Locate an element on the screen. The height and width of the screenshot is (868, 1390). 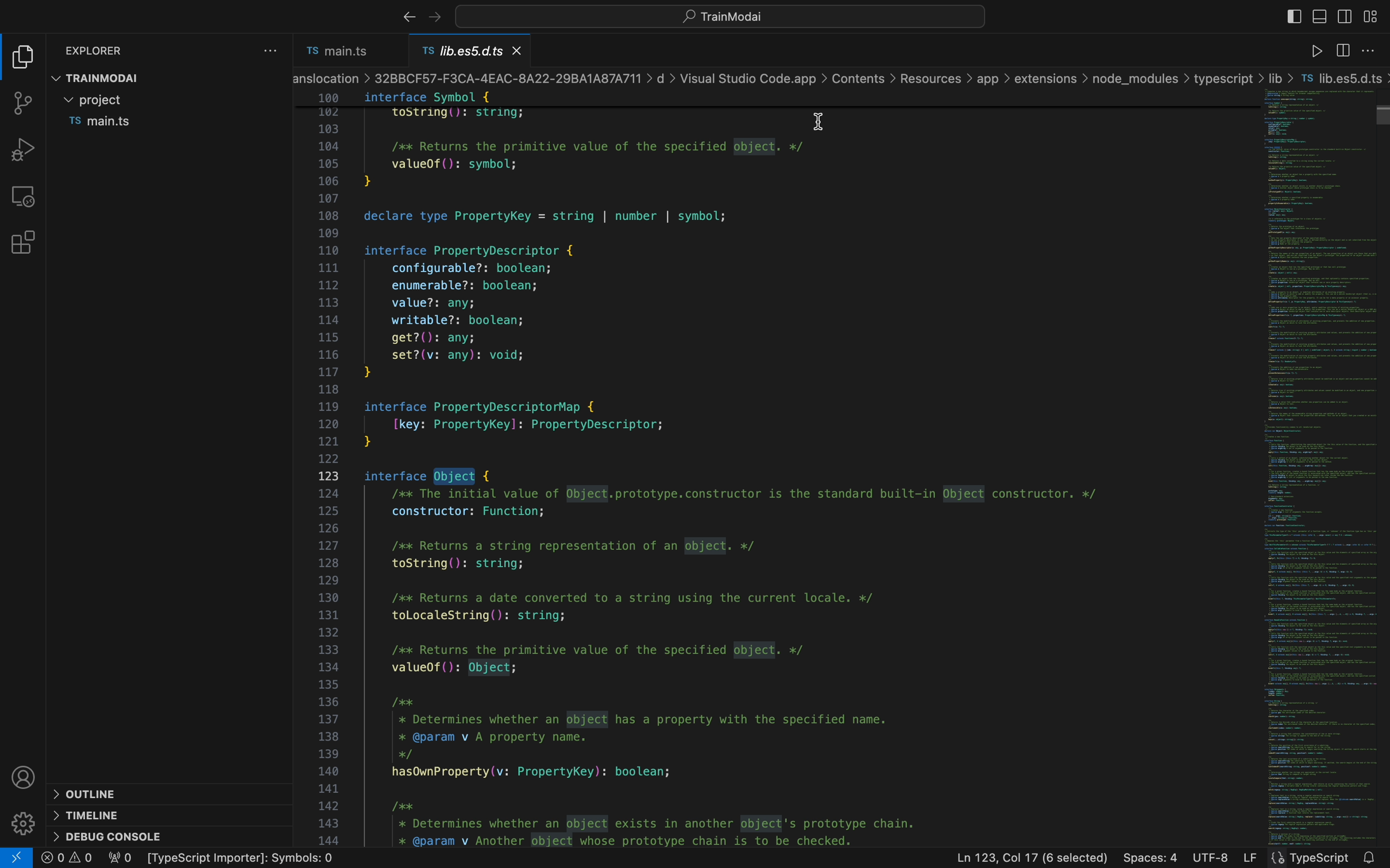
extensions is located at coordinates (22, 243).